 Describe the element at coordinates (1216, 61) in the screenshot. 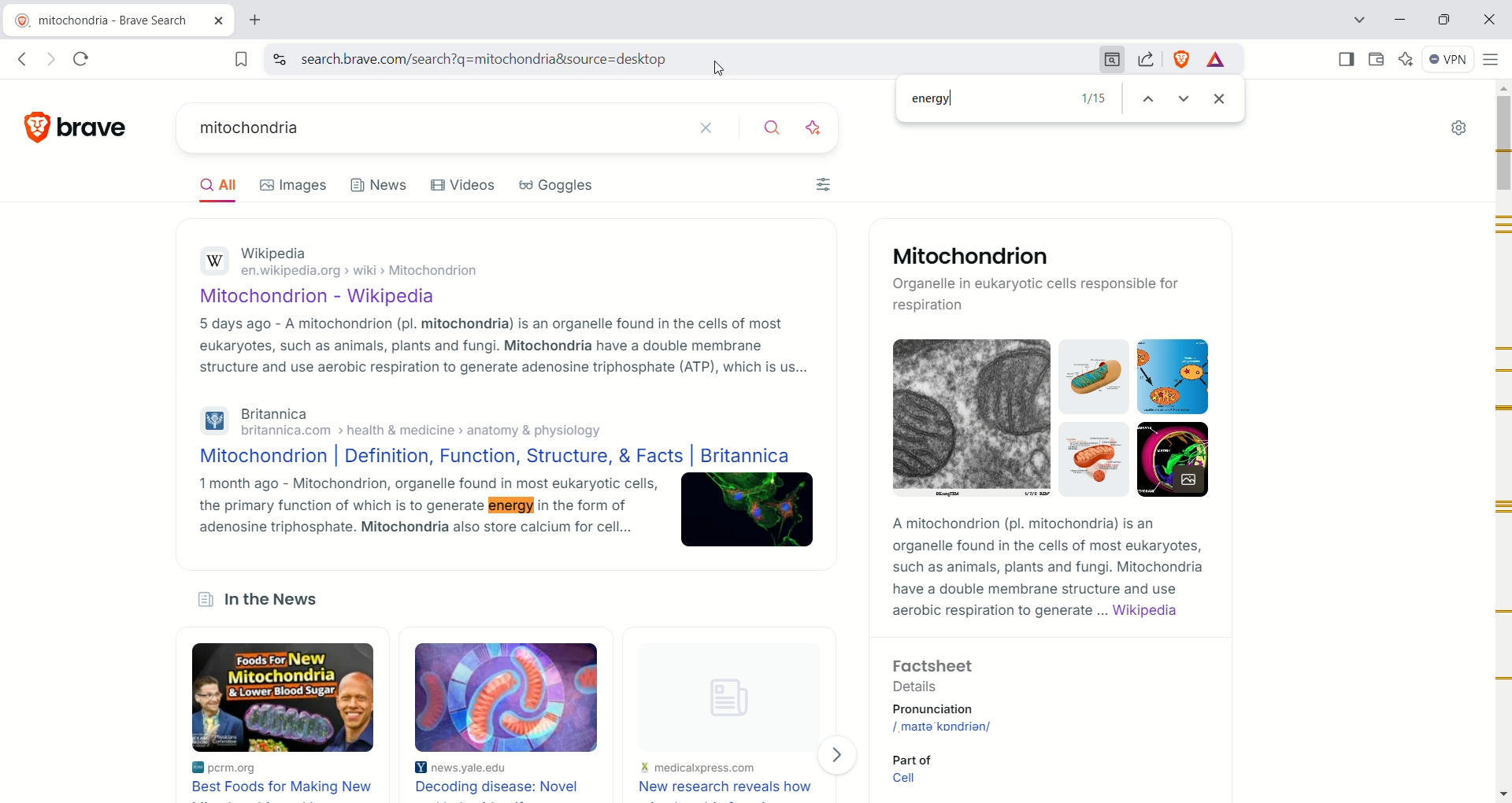

I see `rewards` at that location.